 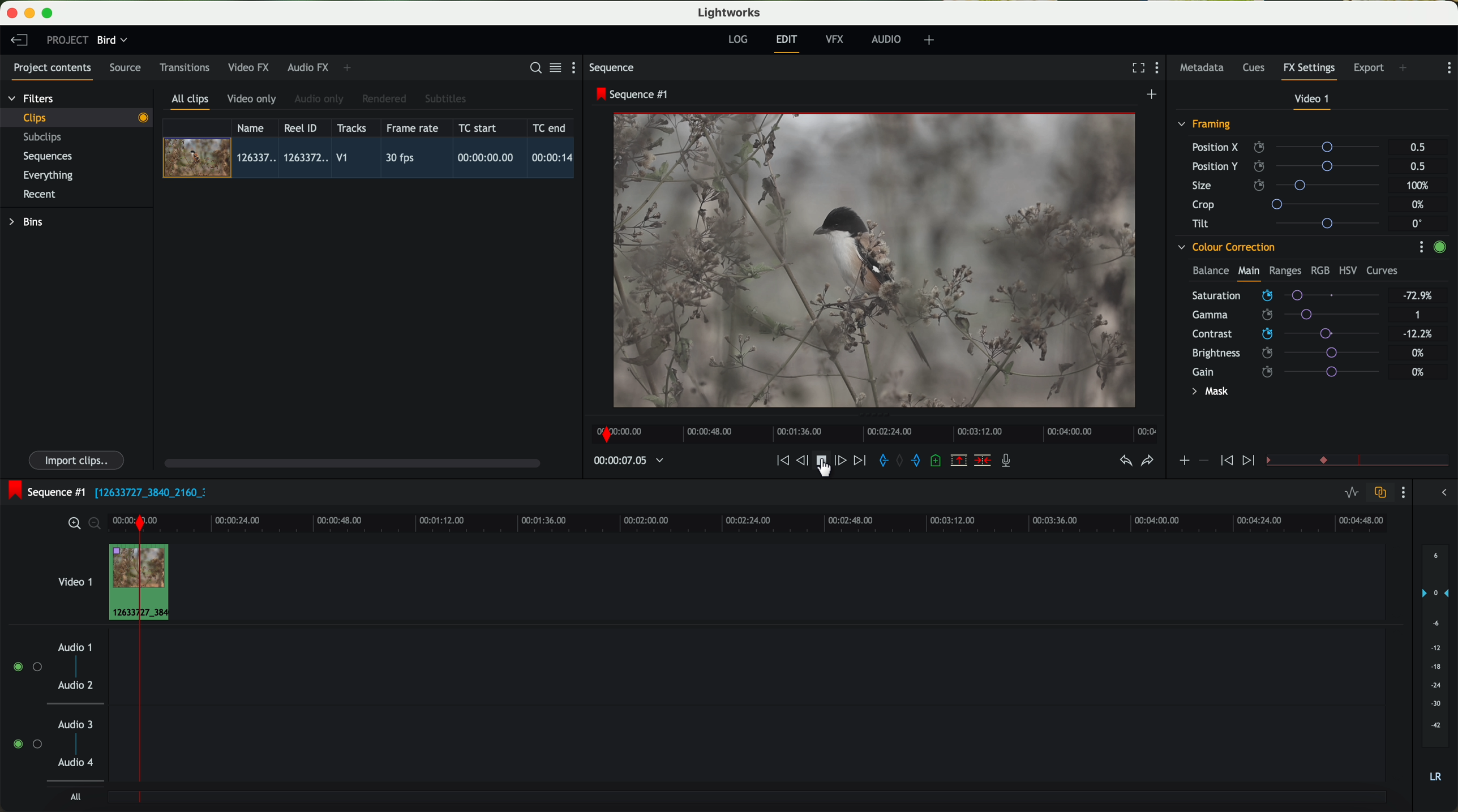 I want to click on transitions, so click(x=184, y=67).